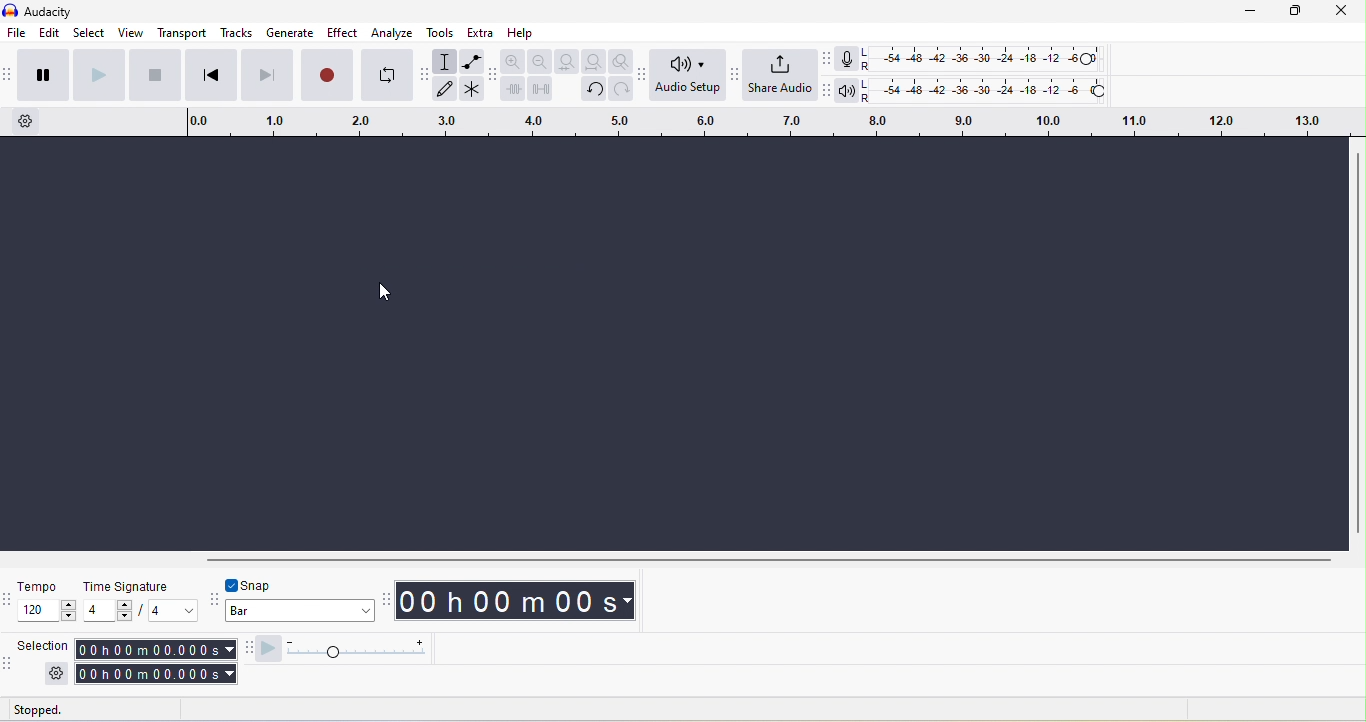 The image size is (1366, 722). I want to click on audio setup, so click(688, 74).